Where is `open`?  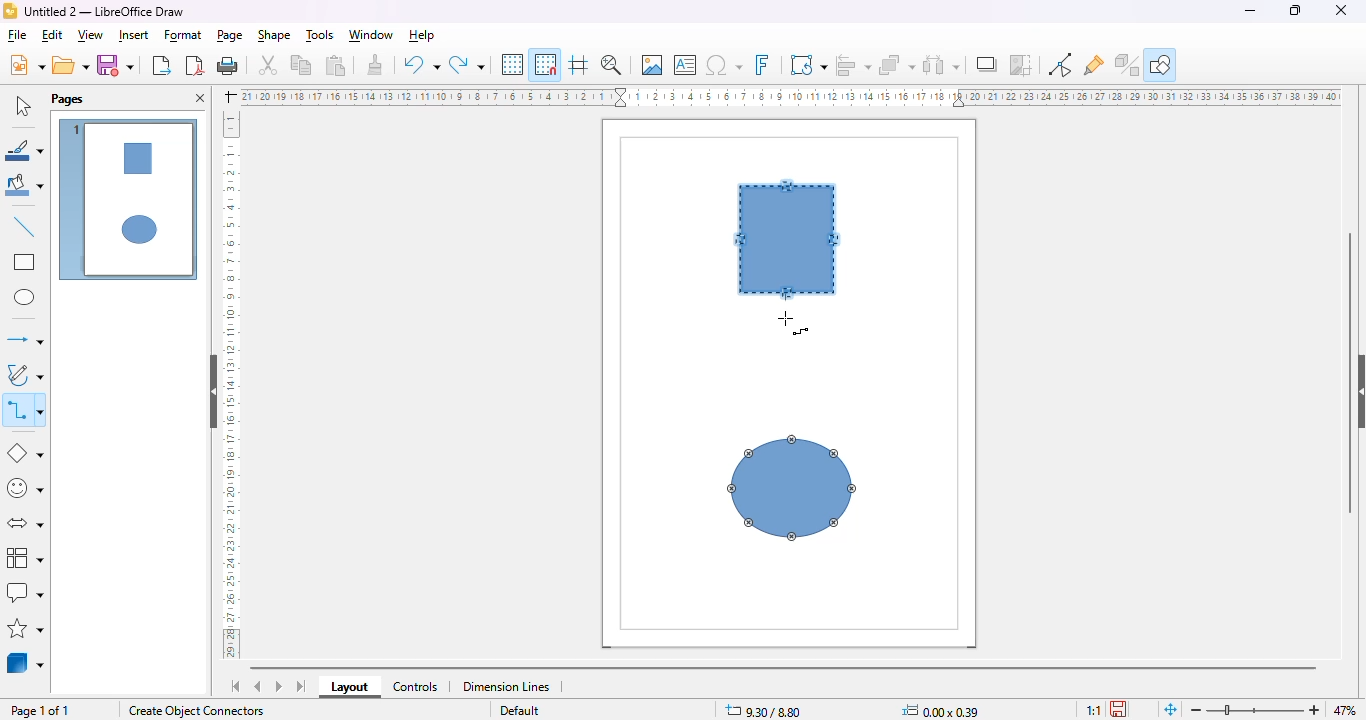
open is located at coordinates (71, 64).